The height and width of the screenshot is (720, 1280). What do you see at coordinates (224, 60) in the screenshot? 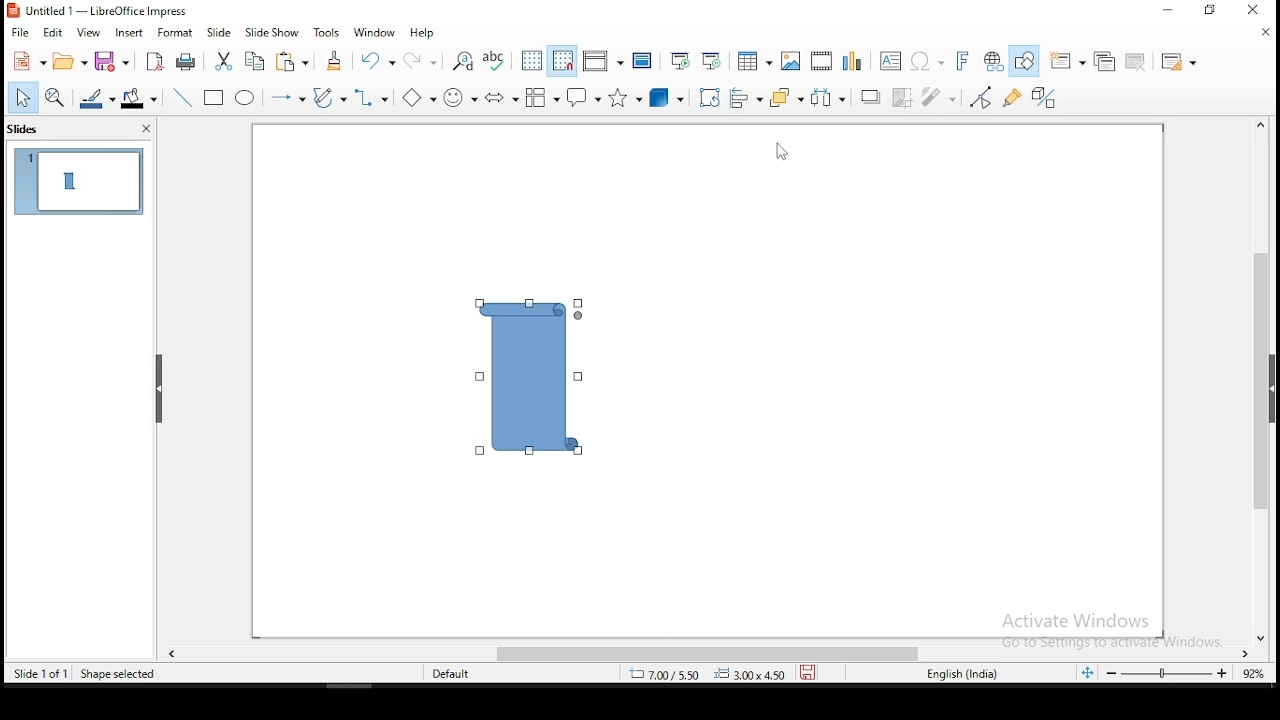
I see `cut` at bounding box center [224, 60].